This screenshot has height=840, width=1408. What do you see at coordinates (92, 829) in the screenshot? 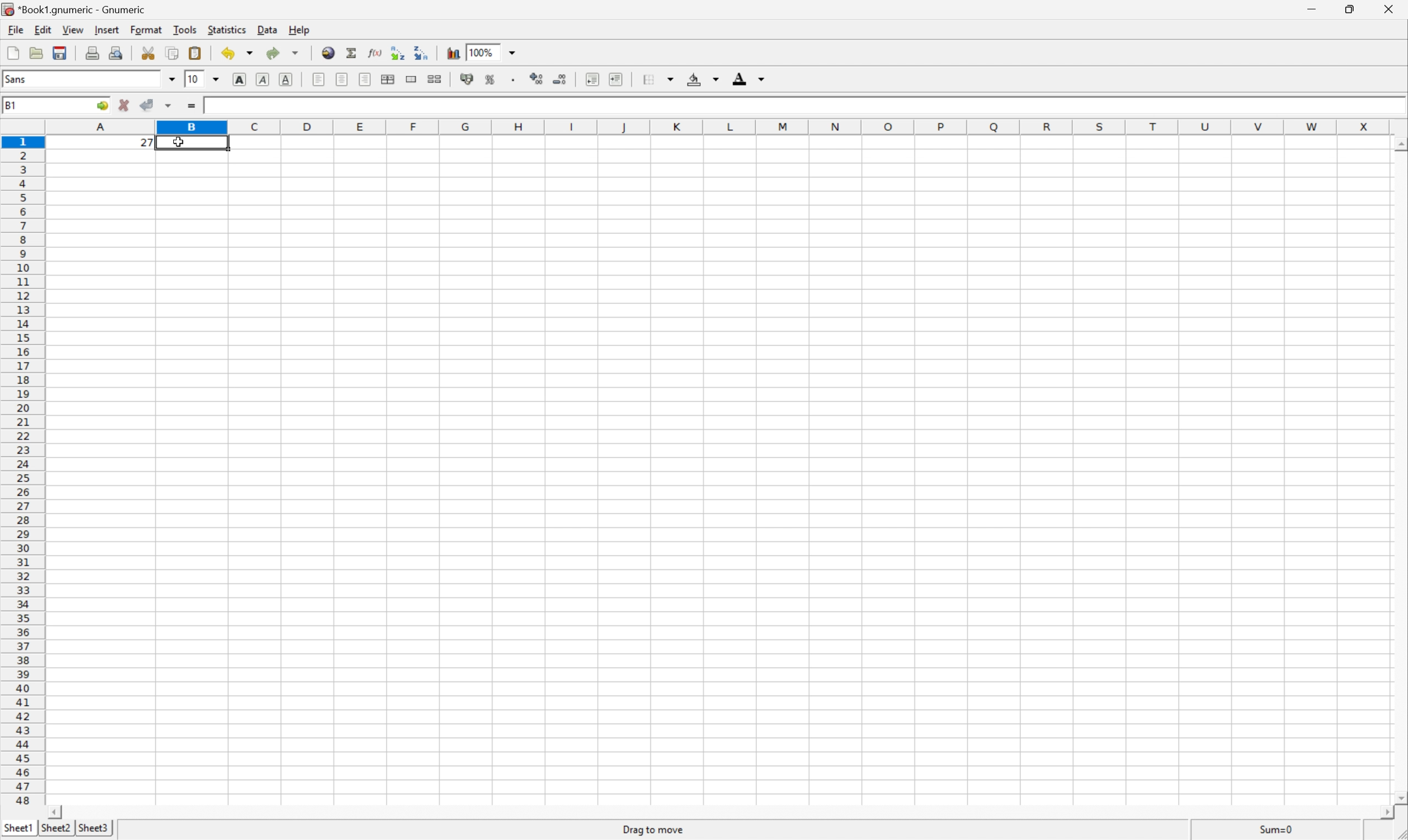
I see `Sheet3` at bounding box center [92, 829].